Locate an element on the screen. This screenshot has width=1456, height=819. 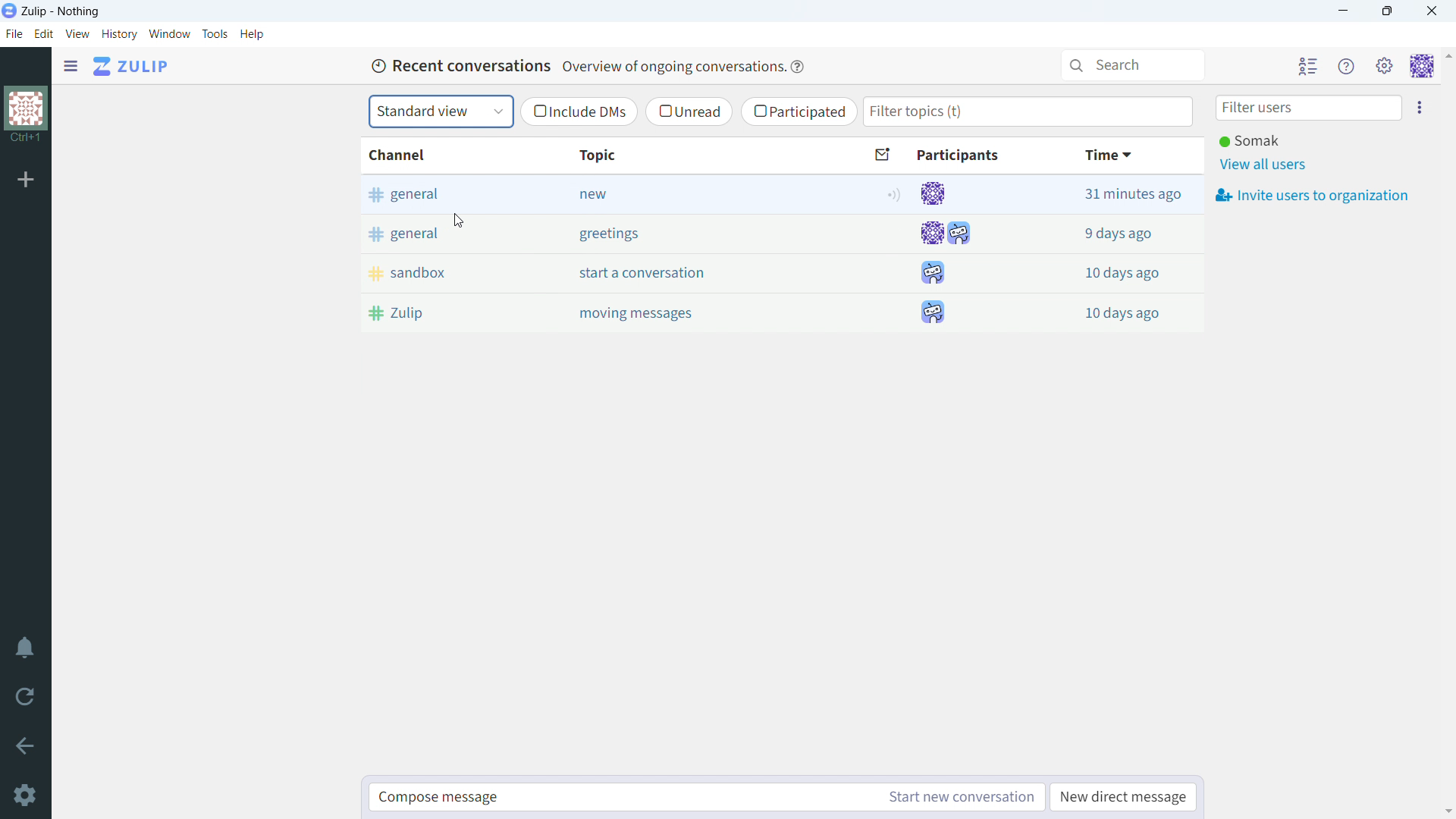
filter user is located at coordinates (1309, 108).